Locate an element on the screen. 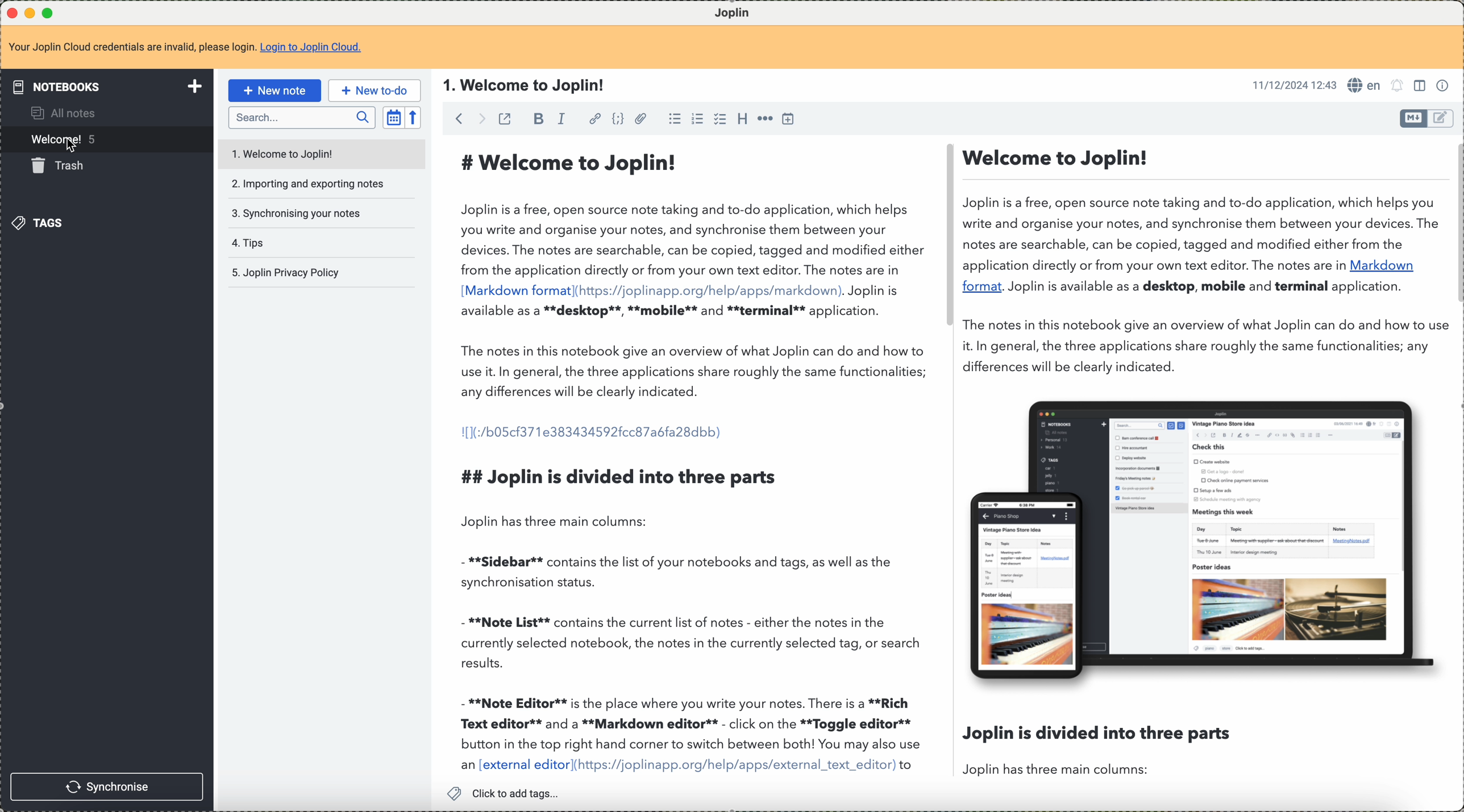 The width and height of the screenshot is (1464, 812). welcome to Joplin note is located at coordinates (319, 152).